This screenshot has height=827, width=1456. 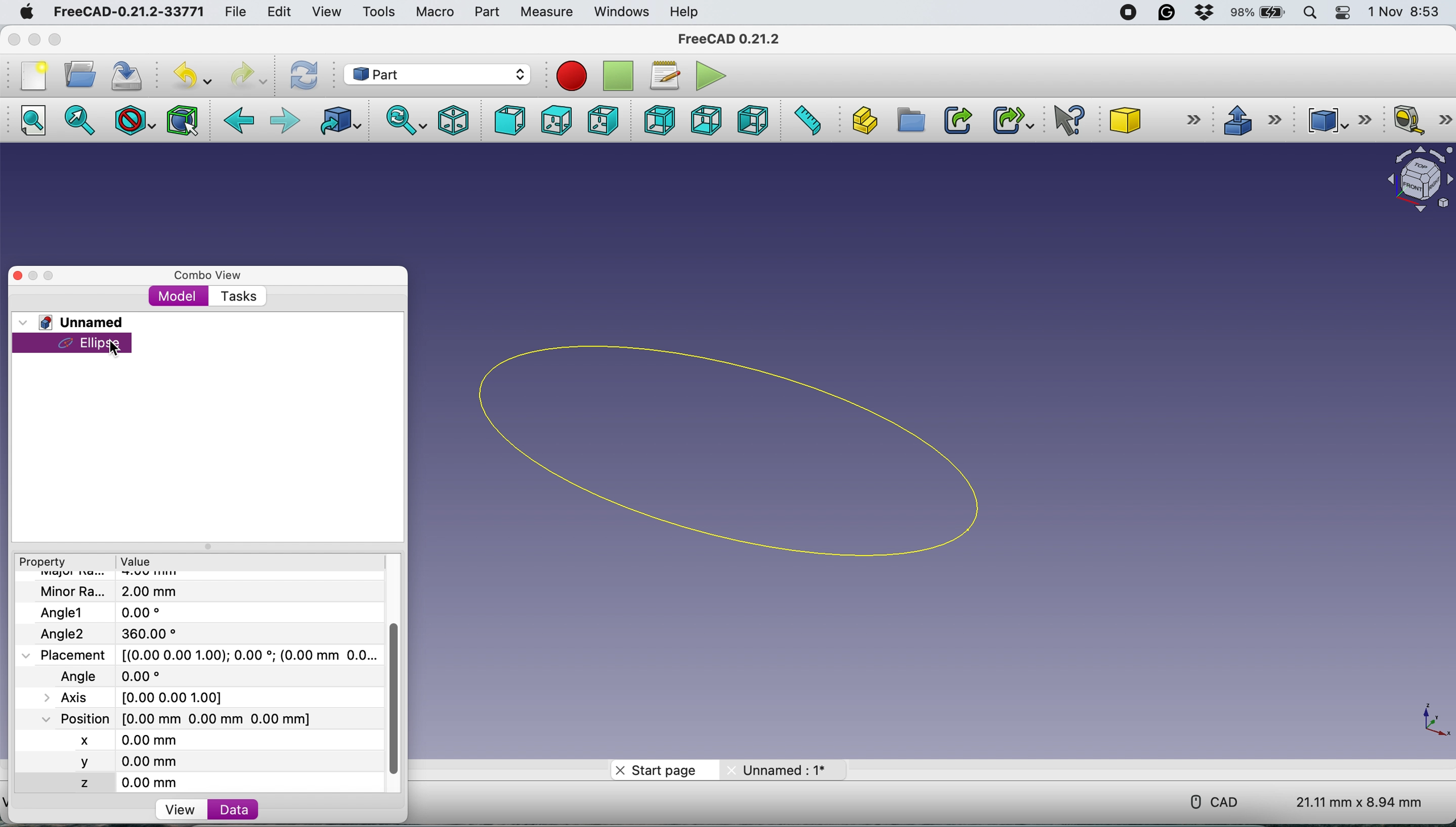 What do you see at coordinates (279, 14) in the screenshot?
I see `edit` at bounding box center [279, 14].